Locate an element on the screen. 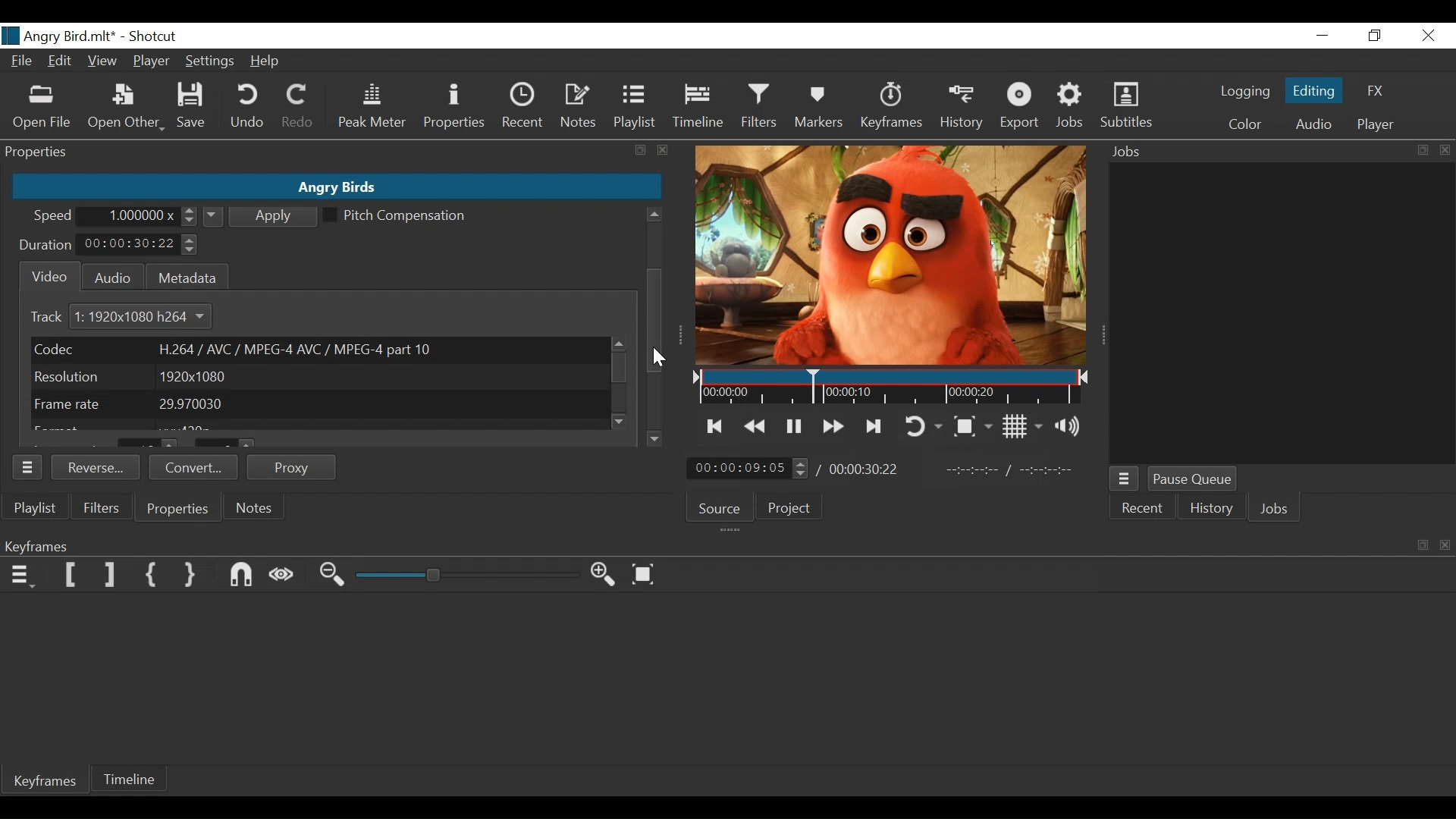  Convert is located at coordinates (192, 467).